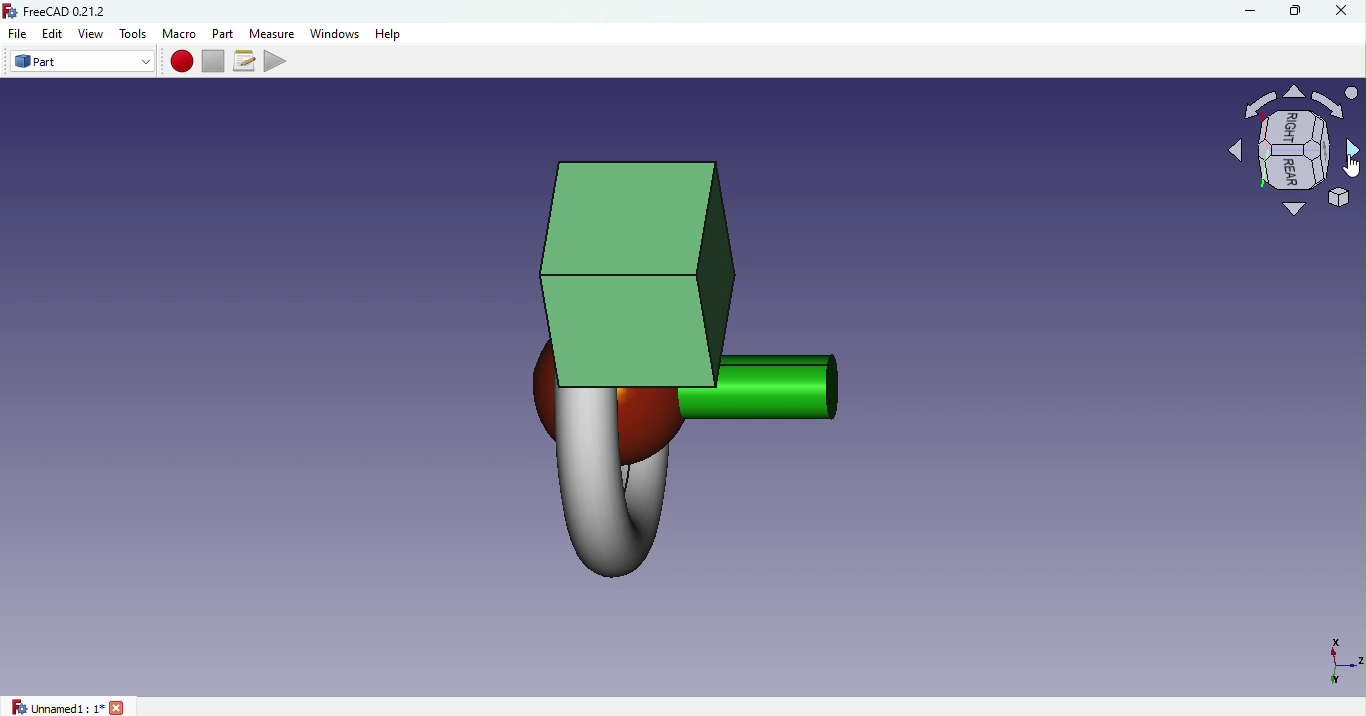 The width and height of the screenshot is (1366, 716). Describe the element at coordinates (335, 33) in the screenshot. I see `Windows` at that location.